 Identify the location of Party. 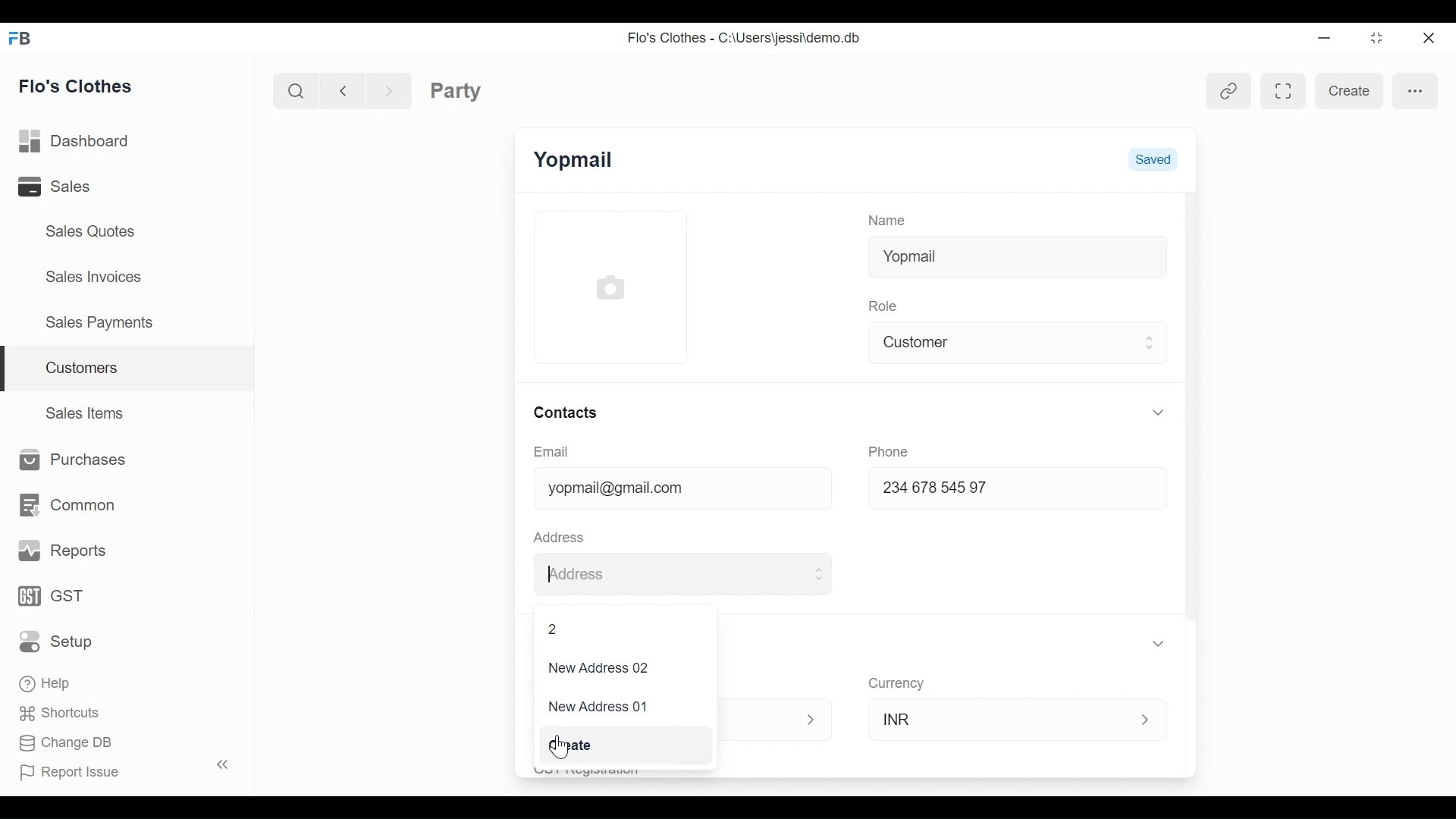
(456, 90).